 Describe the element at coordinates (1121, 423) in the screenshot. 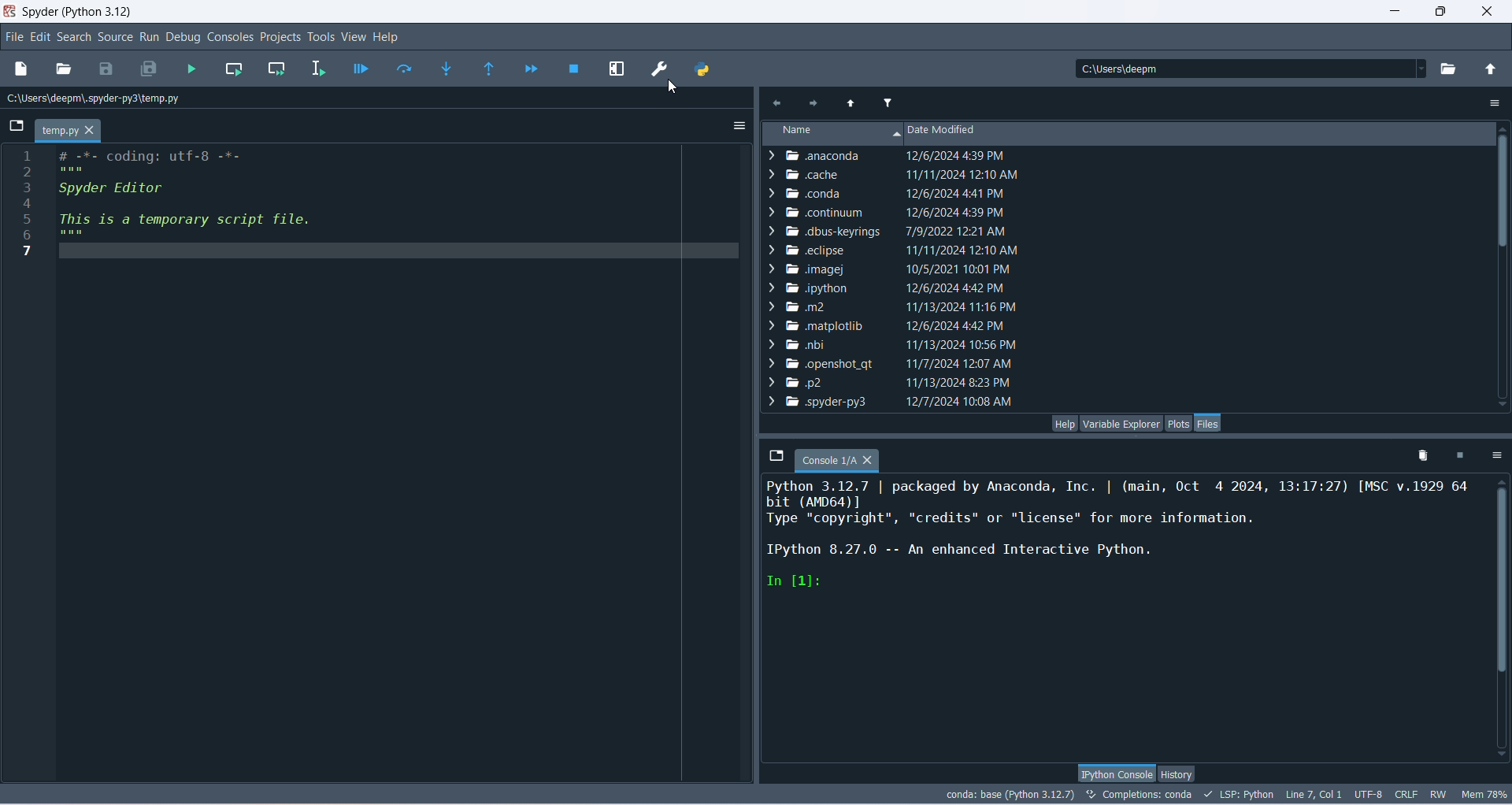

I see `variable explorer` at that location.